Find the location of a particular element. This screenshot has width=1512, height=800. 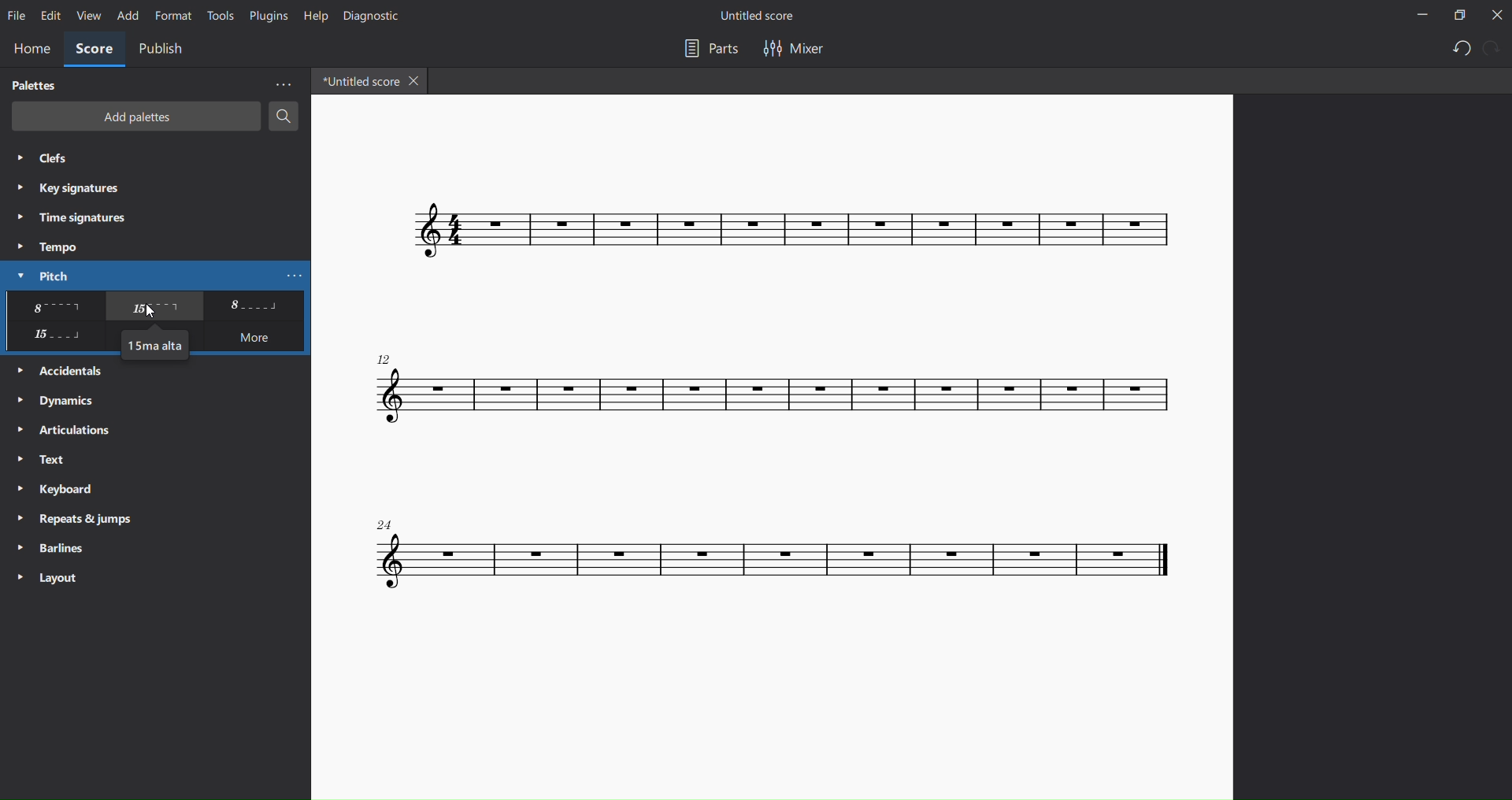

key signatures is located at coordinates (70, 187).